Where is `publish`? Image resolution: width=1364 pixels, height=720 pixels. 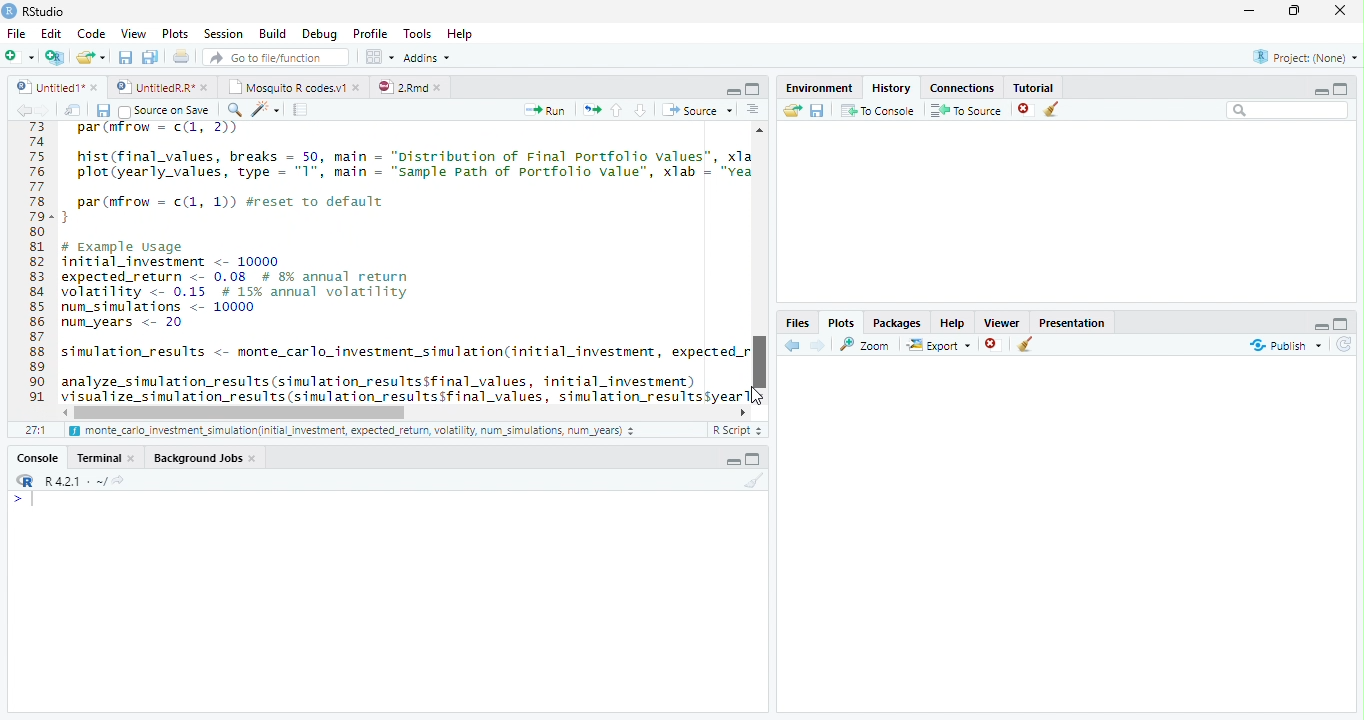
publish is located at coordinates (1285, 345).